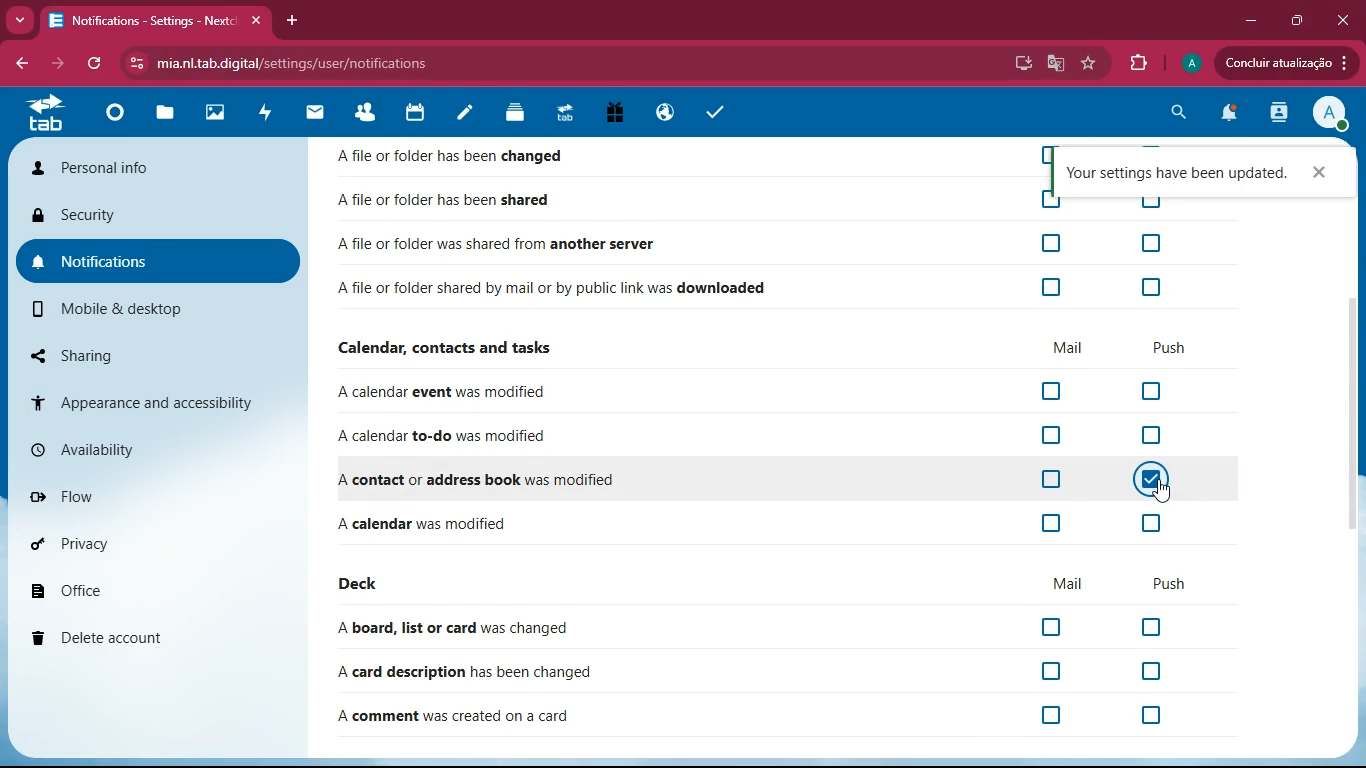 Image resolution: width=1366 pixels, height=768 pixels. I want to click on off, so click(1052, 625).